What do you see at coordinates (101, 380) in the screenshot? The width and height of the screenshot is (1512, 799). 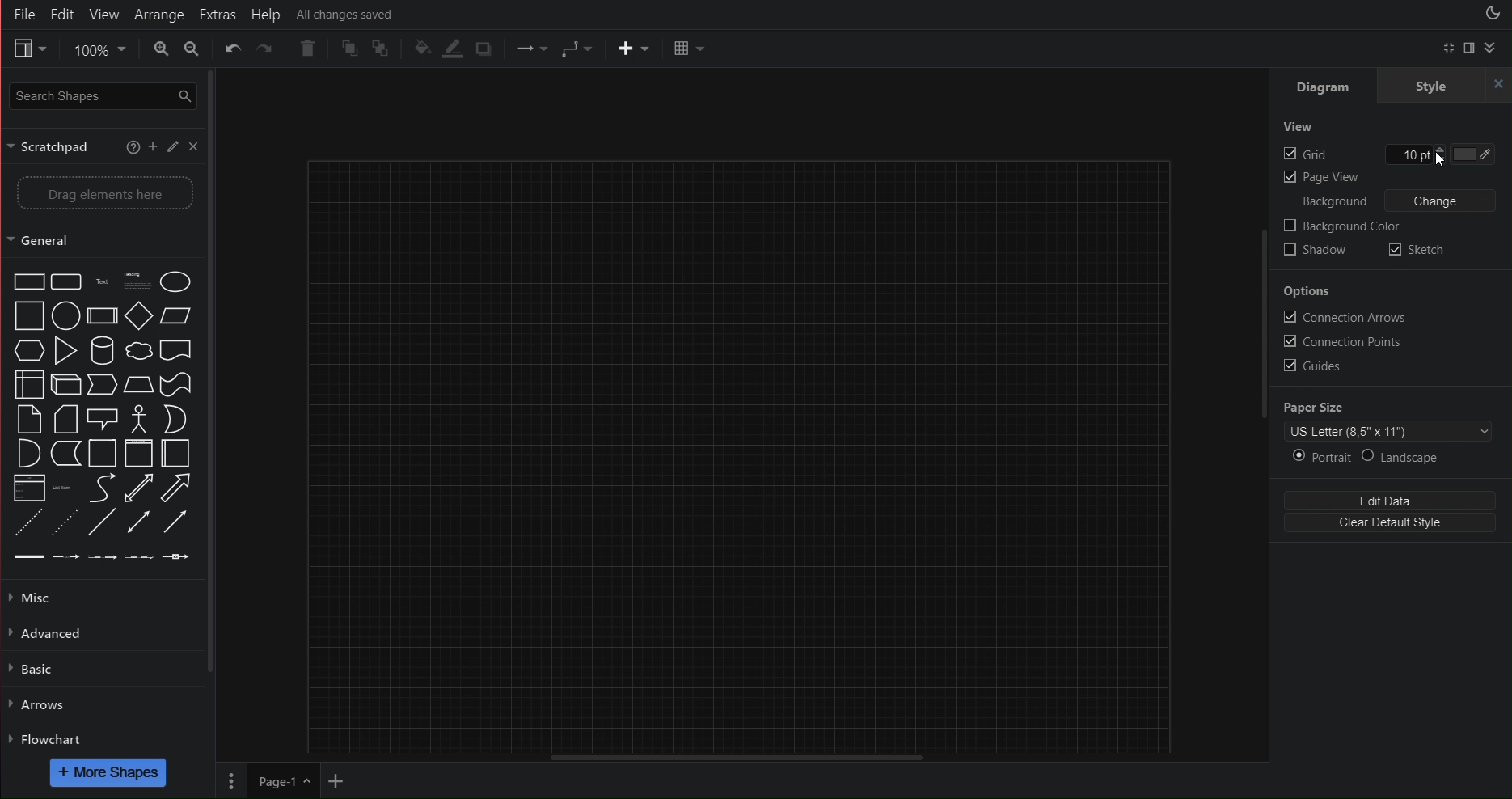 I see `arrow` at bounding box center [101, 380].